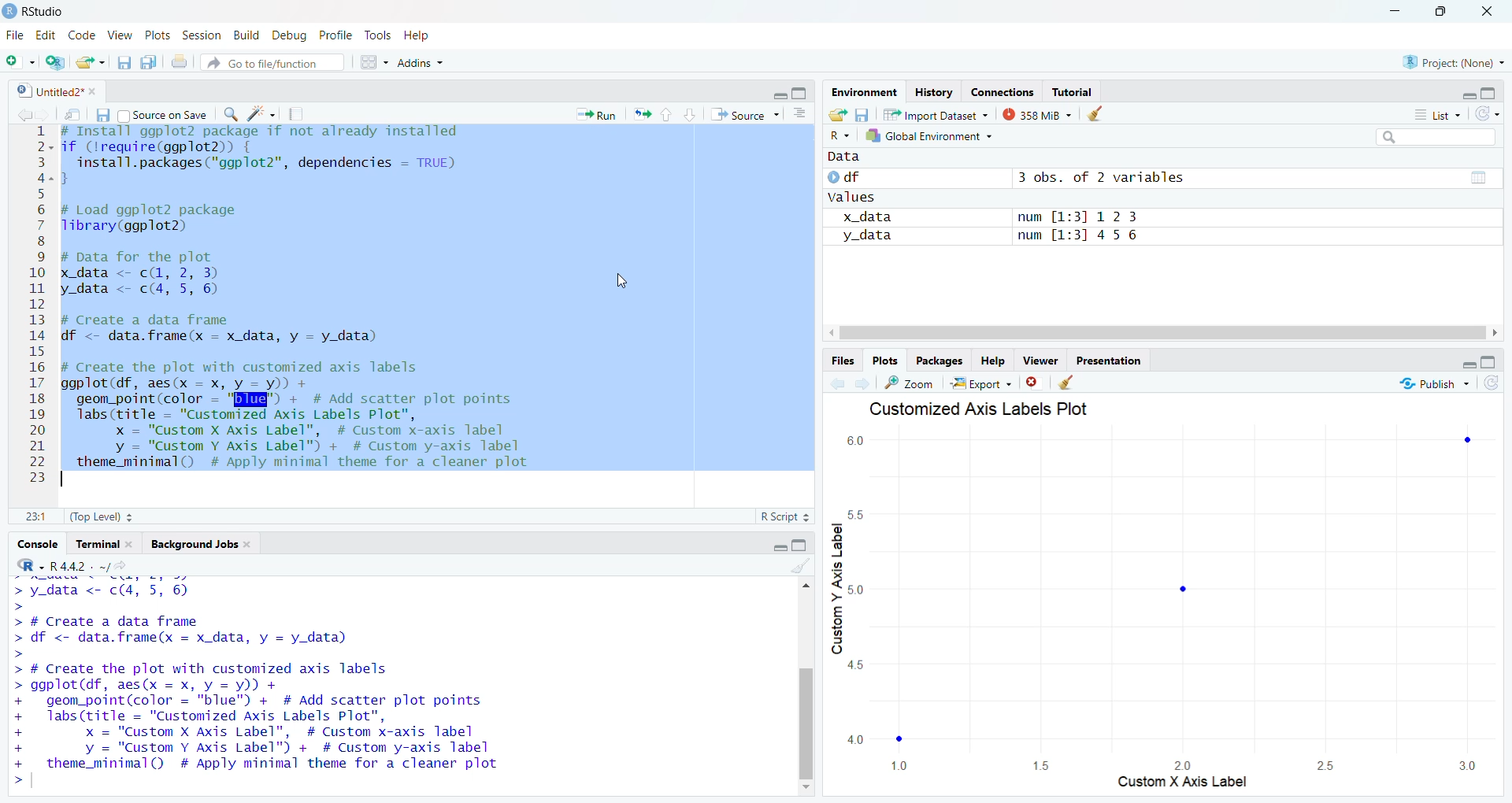 The width and height of the screenshot is (1512, 803). Describe the element at coordinates (1435, 136) in the screenshot. I see `search` at that location.